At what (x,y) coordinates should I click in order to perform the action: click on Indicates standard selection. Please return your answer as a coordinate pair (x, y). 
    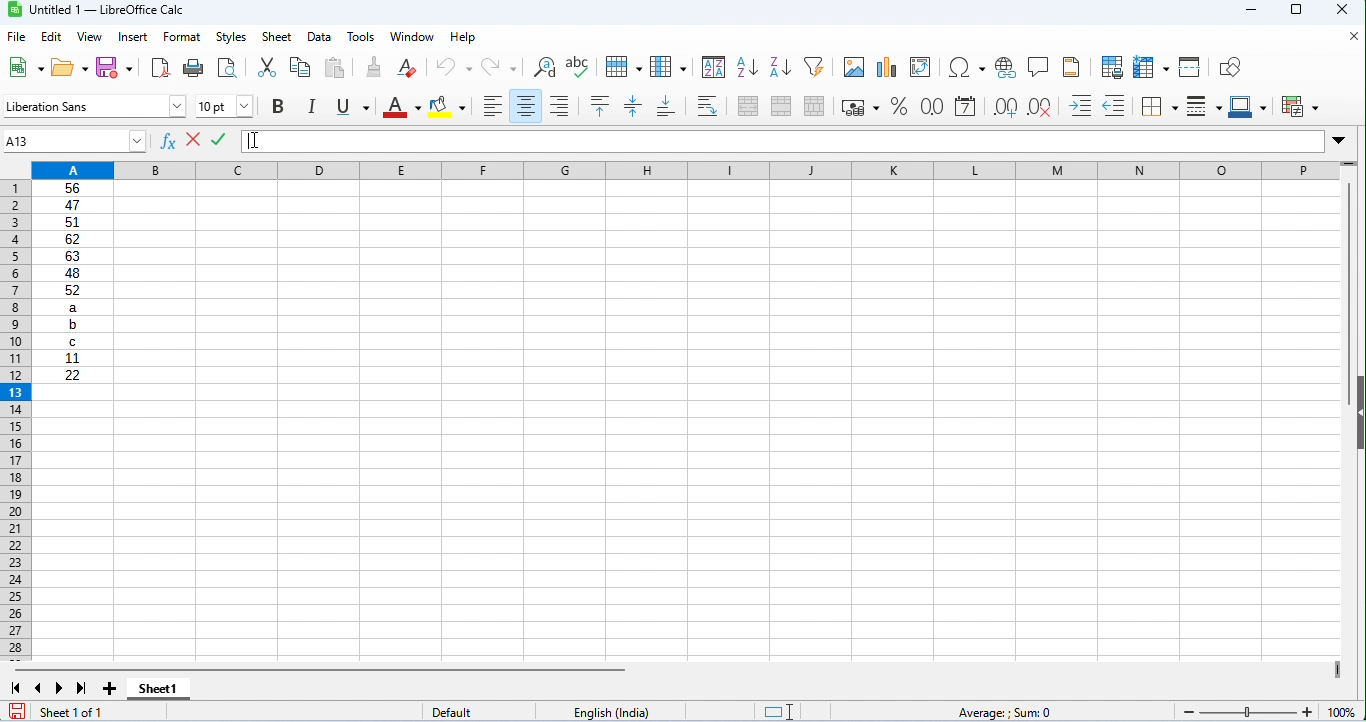
    Looking at the image, I should click on (778, 712).